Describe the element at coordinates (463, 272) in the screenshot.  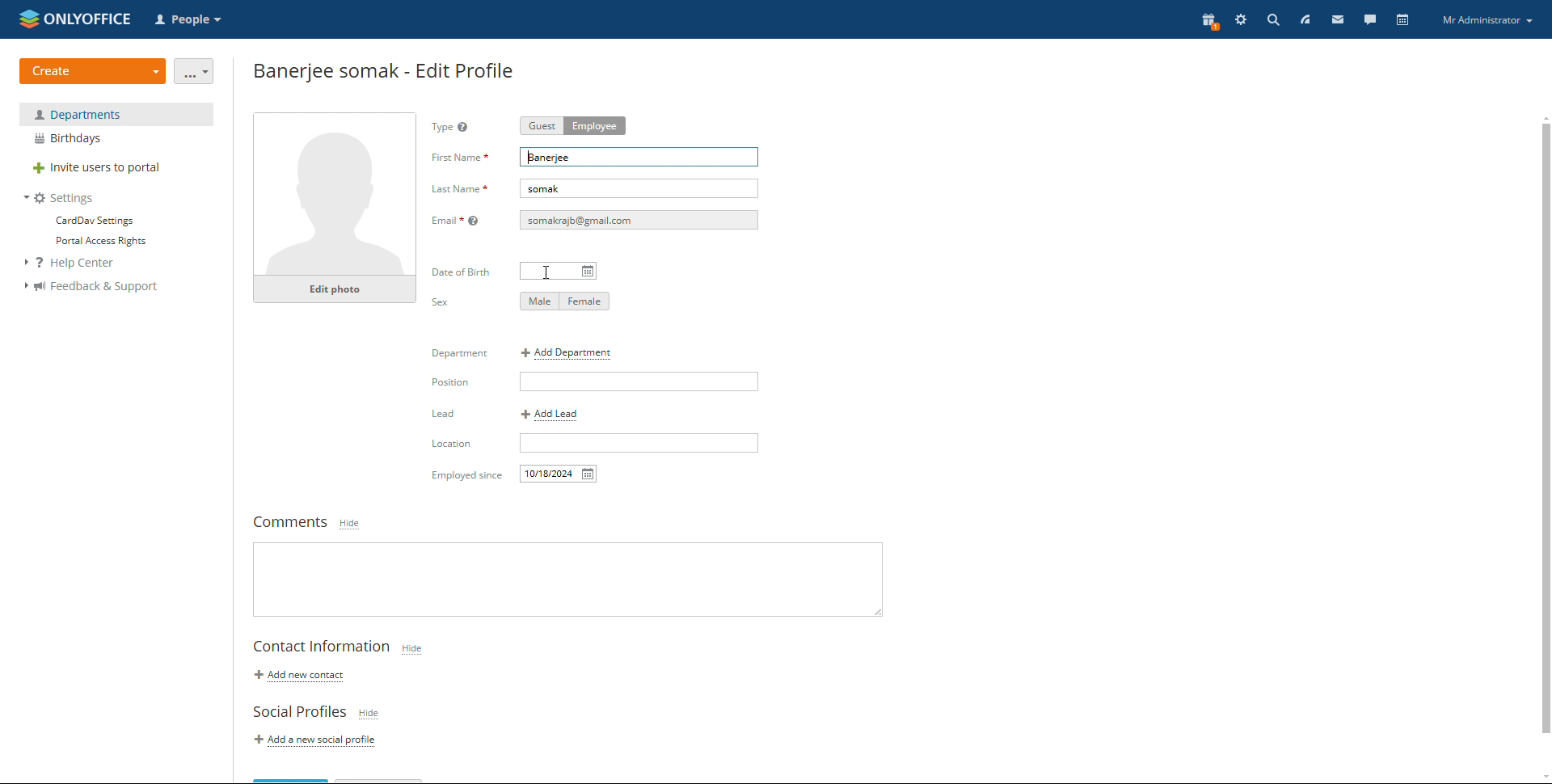
I see `date of birth` at that location.